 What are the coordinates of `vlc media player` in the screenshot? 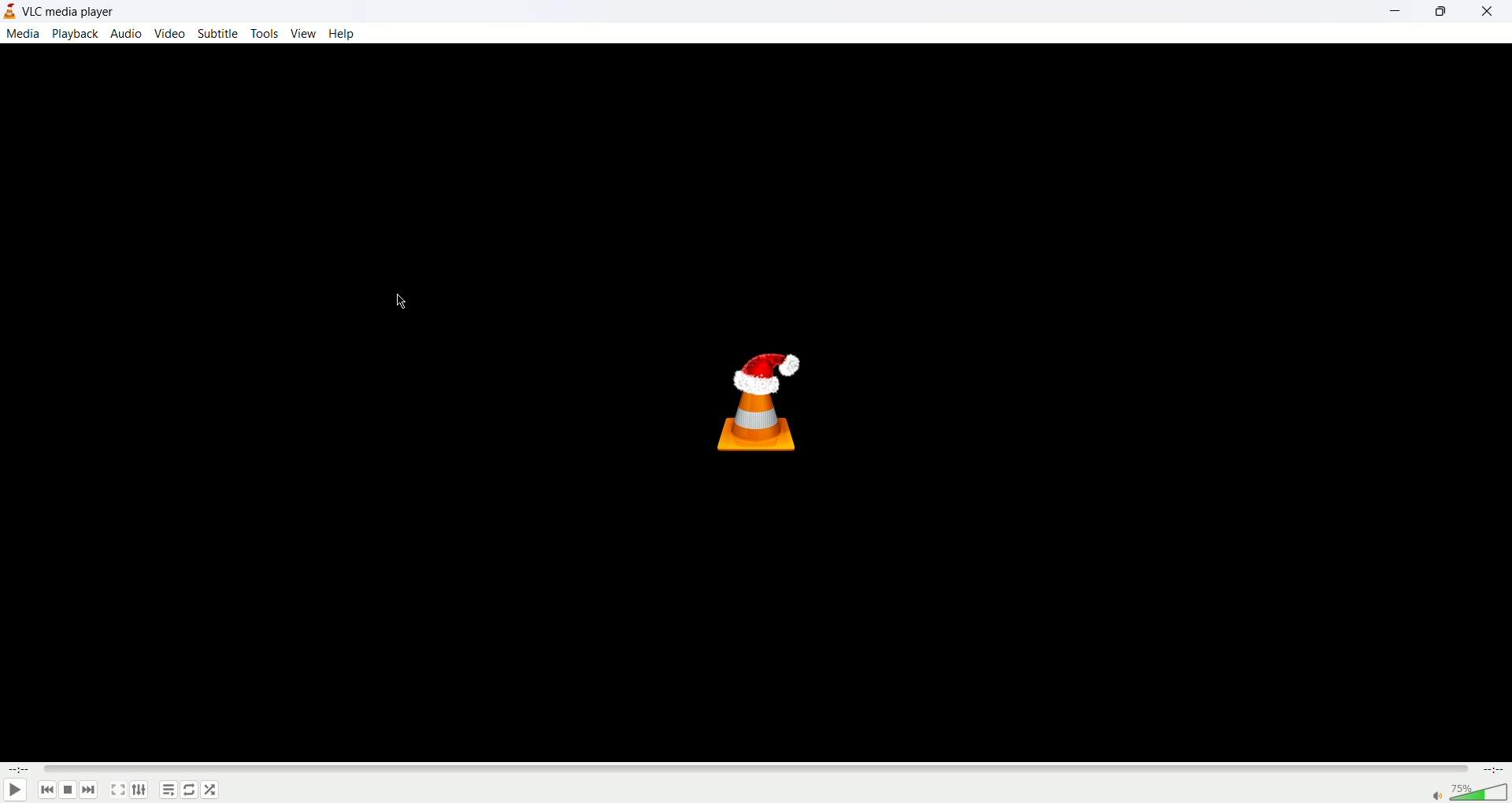 It's located at (72, 10).